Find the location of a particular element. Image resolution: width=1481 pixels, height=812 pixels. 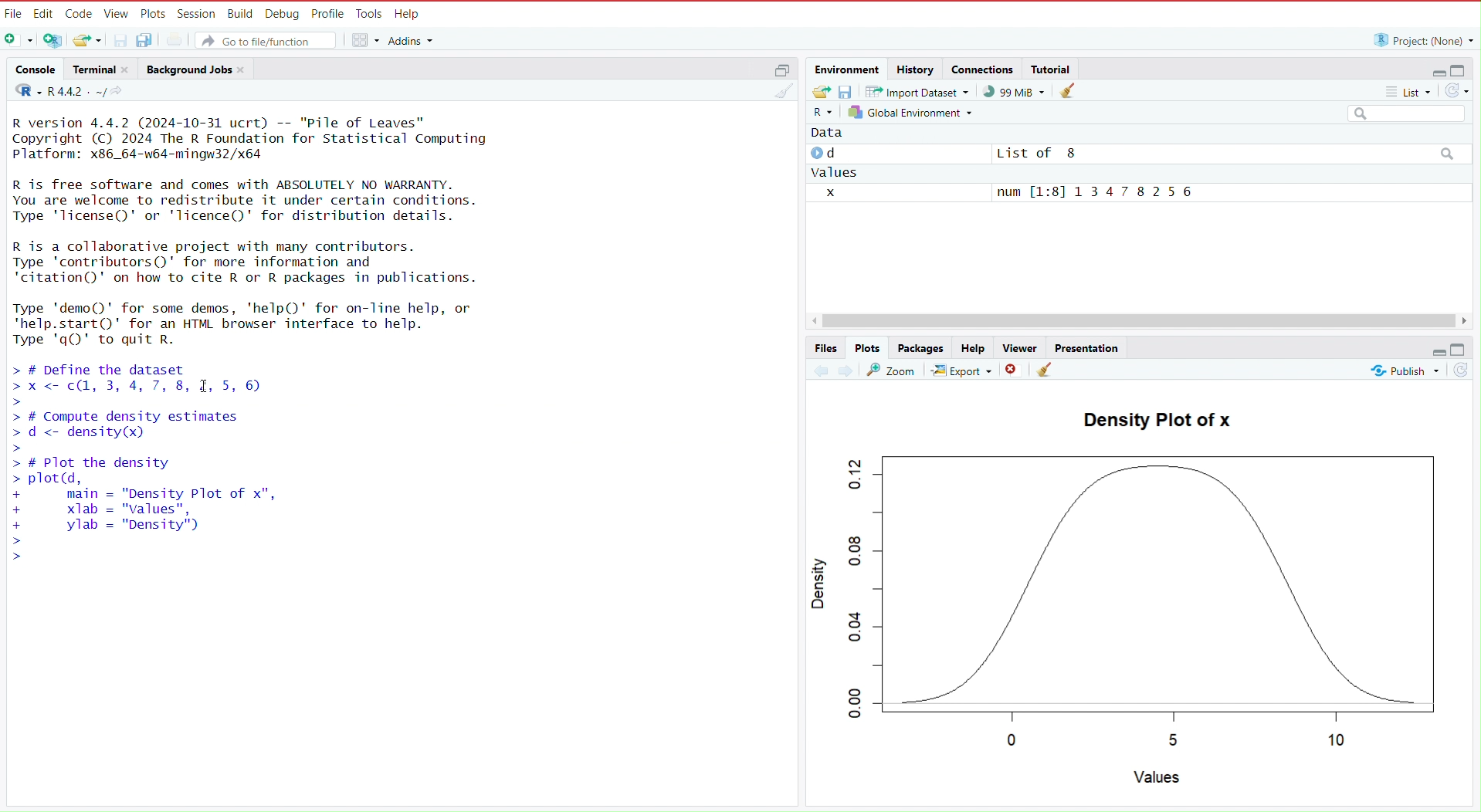

file is located at coordinates (14, 12).